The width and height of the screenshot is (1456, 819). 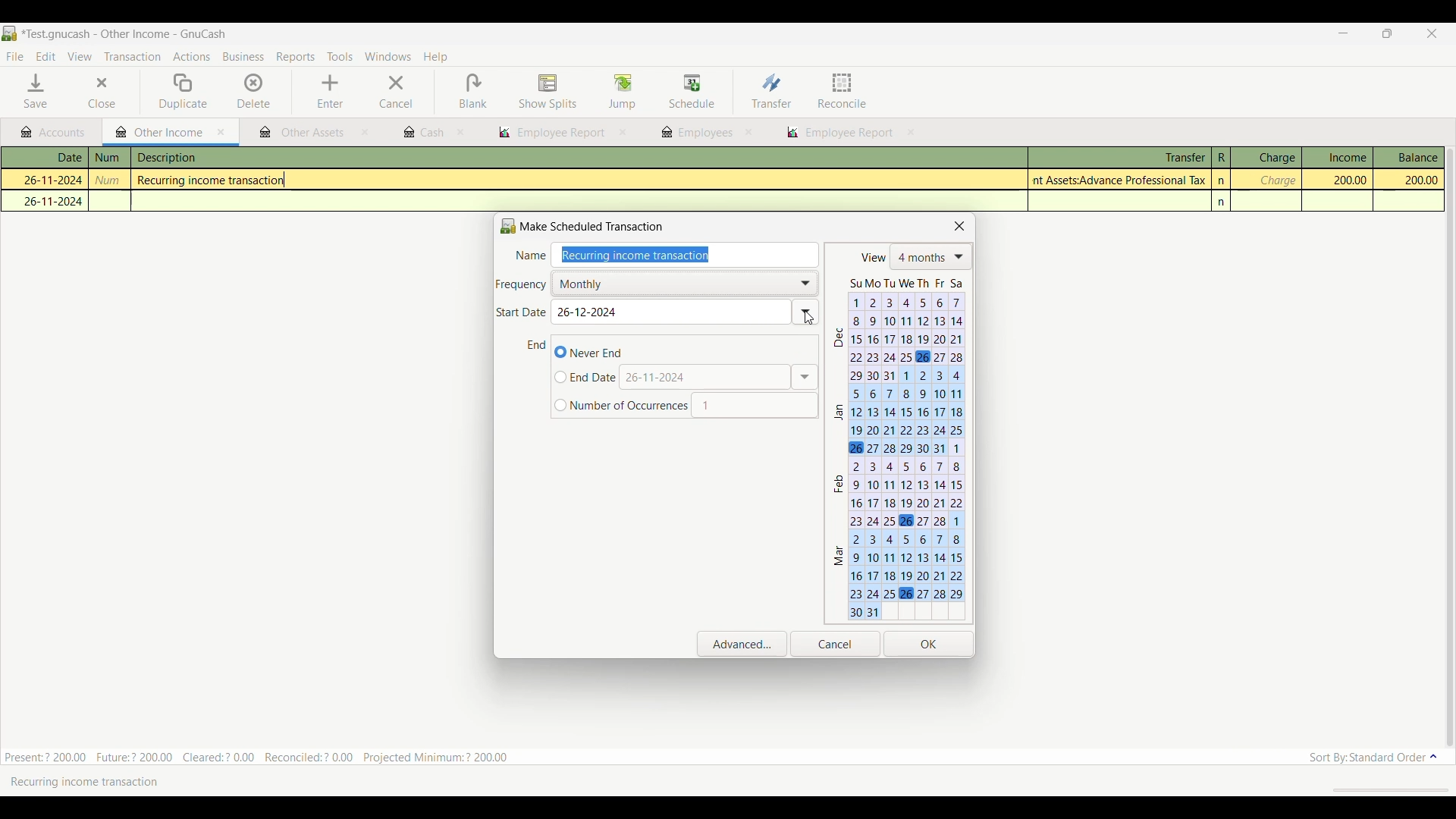 I want to click on Income column, so click(x=1337, y=157).